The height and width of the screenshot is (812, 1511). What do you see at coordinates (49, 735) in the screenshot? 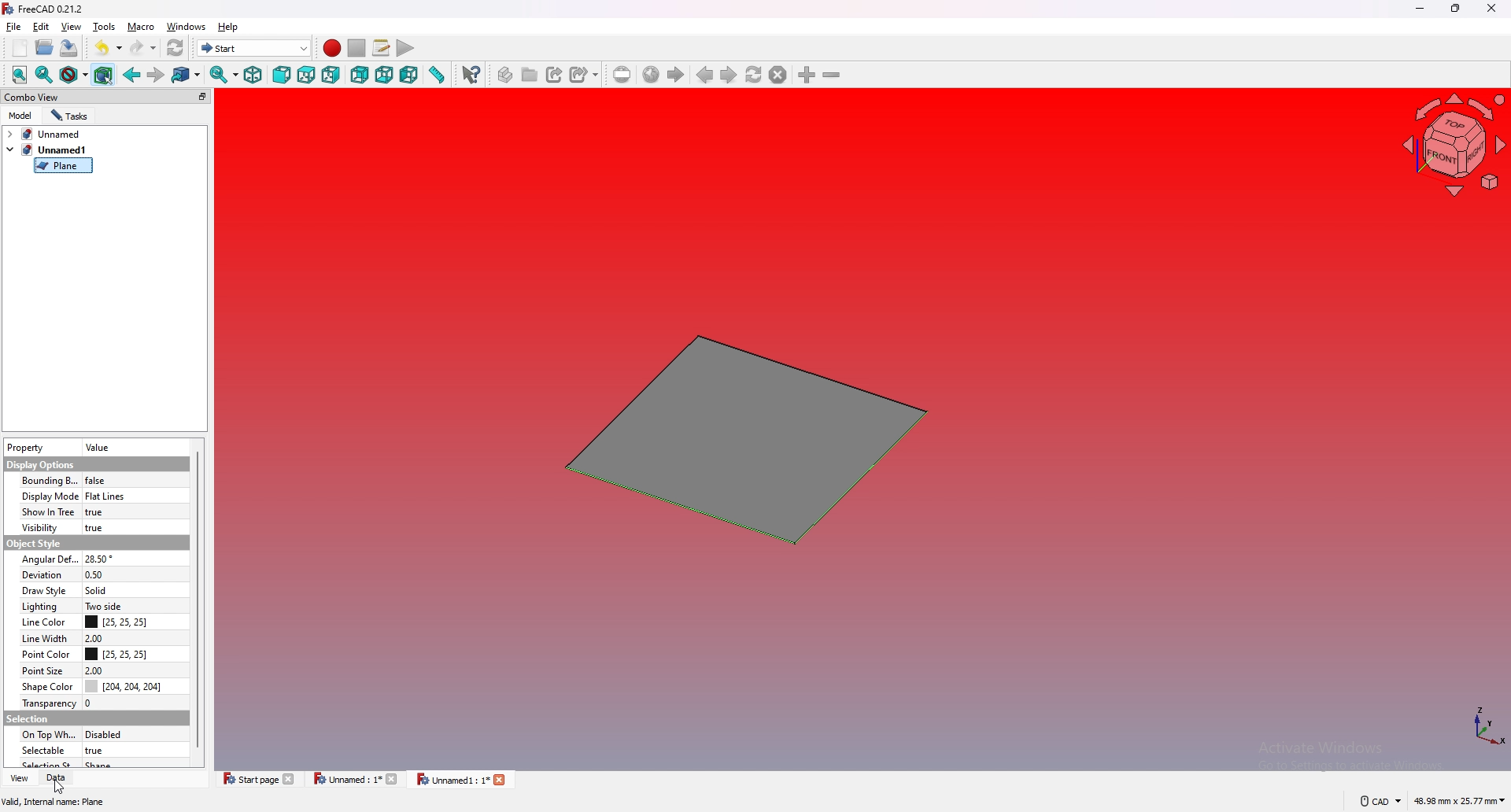
I see `on top when selected` at bounding box center [49, 735].